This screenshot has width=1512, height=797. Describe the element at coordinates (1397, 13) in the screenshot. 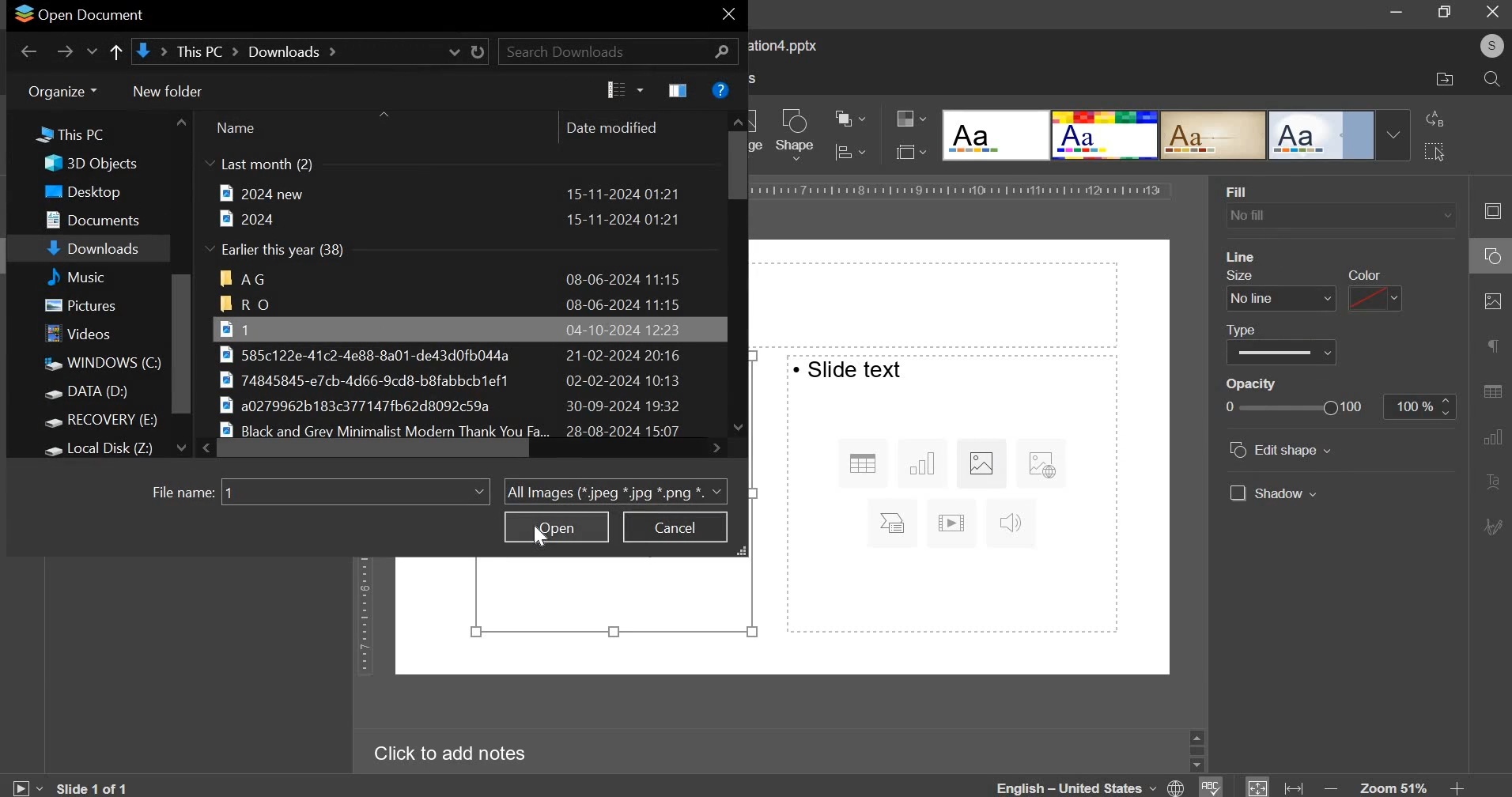

I see `minimize` at that location.